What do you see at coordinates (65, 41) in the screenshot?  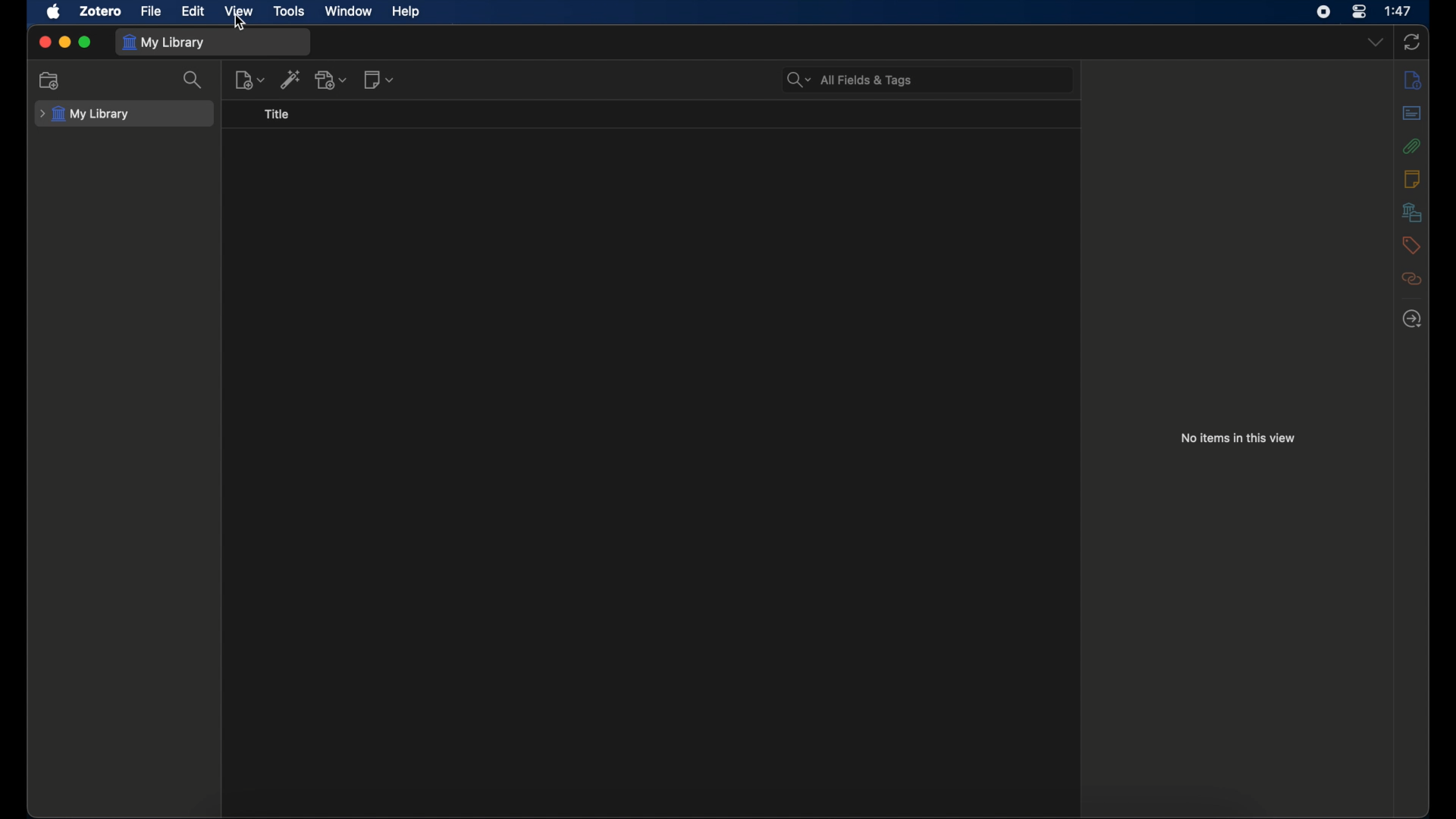 I see `minimize` at bounding box center [65, 41].